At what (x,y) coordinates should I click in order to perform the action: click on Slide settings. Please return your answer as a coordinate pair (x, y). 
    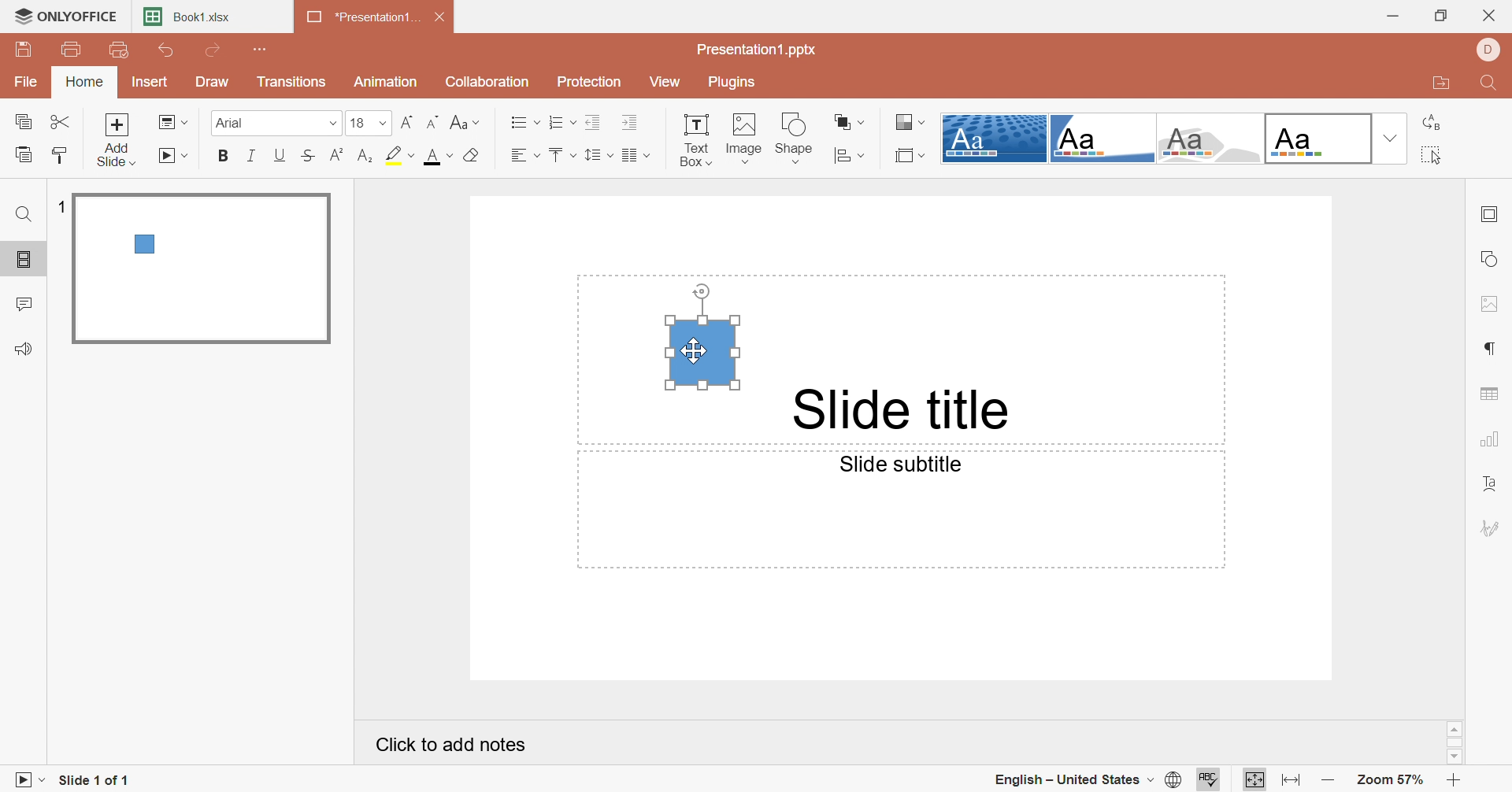
    Looking at the image, I should click on (1492, 214).